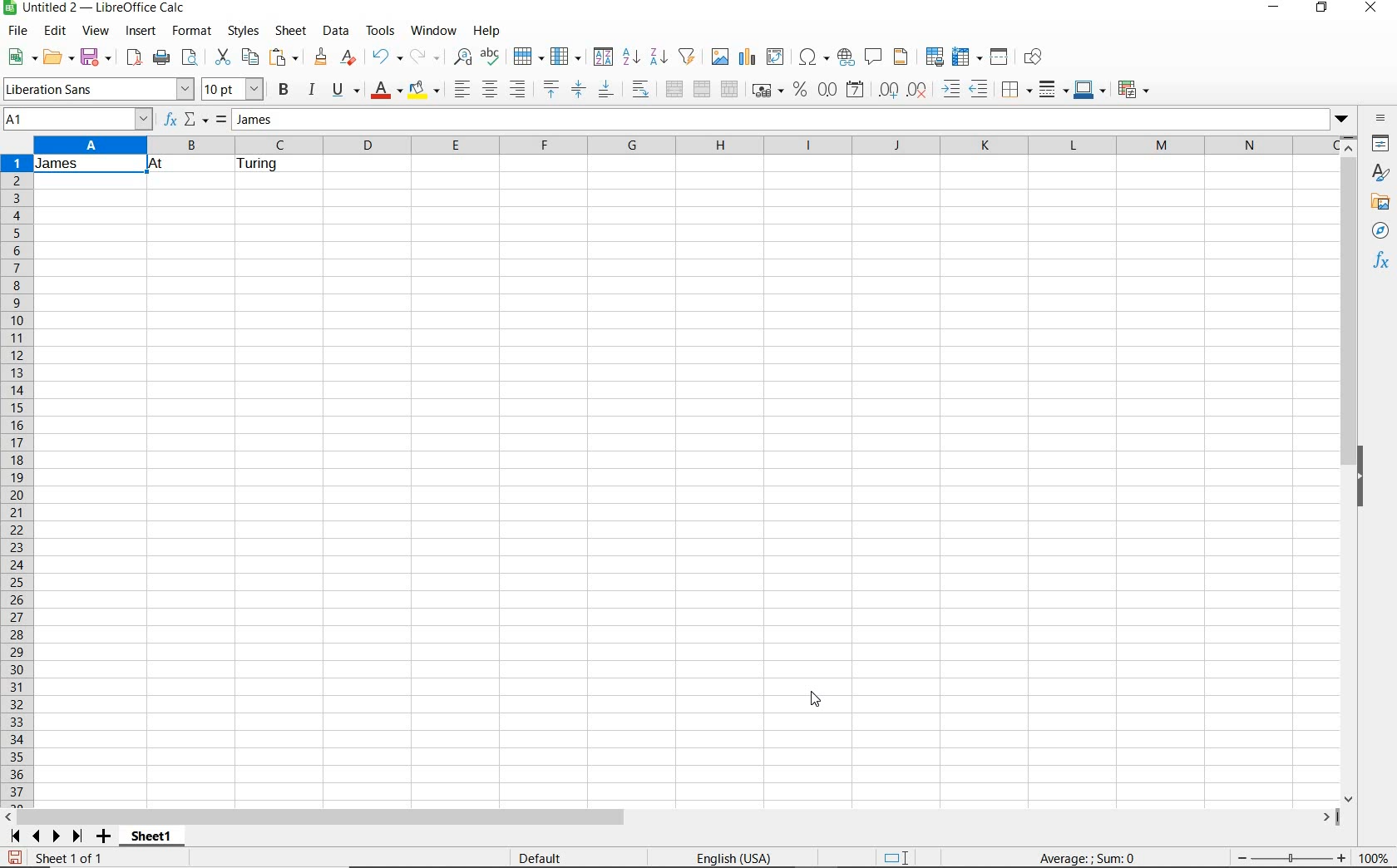 The height and width of the screenshot is (868, 1397). What do you see at coordinates (153, 839) in the screenshot?
I see `sheet1` at bounding box center [153, 839].